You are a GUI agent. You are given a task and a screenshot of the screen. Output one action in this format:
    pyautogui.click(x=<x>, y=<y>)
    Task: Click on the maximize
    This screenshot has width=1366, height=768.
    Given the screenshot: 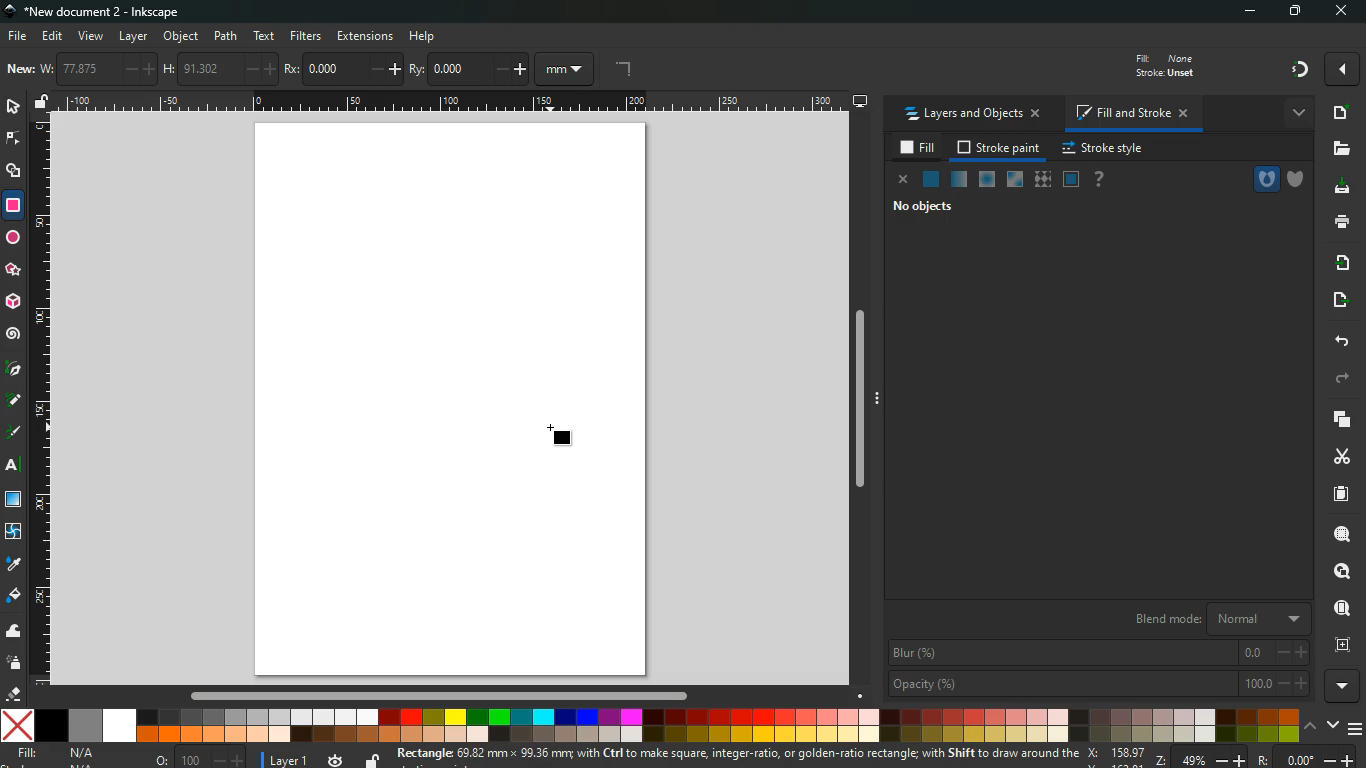 What is the action you would take?
    pyautogui.click(x=1295, y=13)
    